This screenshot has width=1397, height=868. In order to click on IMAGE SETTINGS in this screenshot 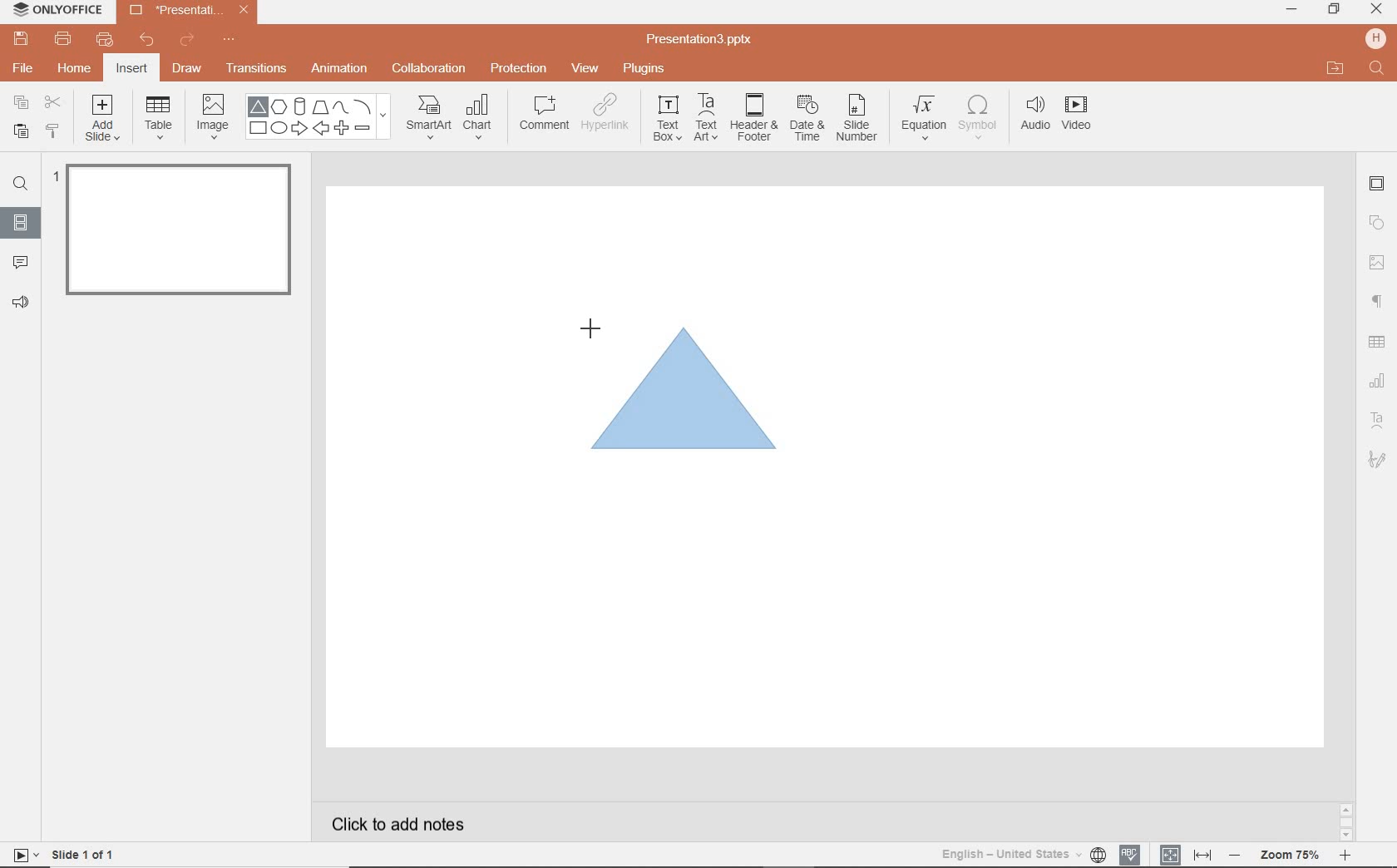, I will do `click(1377, 262)`.